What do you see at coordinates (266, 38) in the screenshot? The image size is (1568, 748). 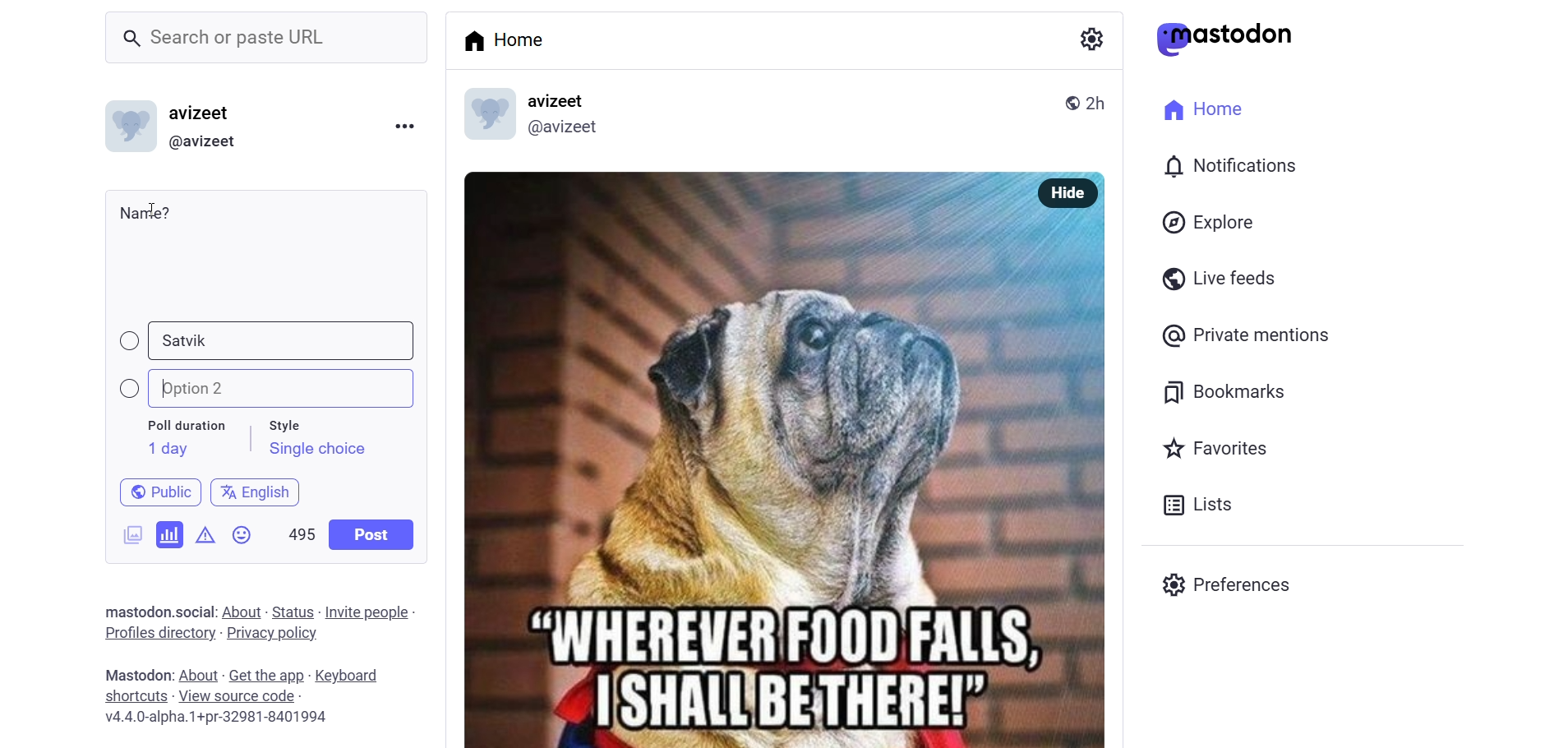 I see `Search or paste URL` at bounding box center [266, 38].